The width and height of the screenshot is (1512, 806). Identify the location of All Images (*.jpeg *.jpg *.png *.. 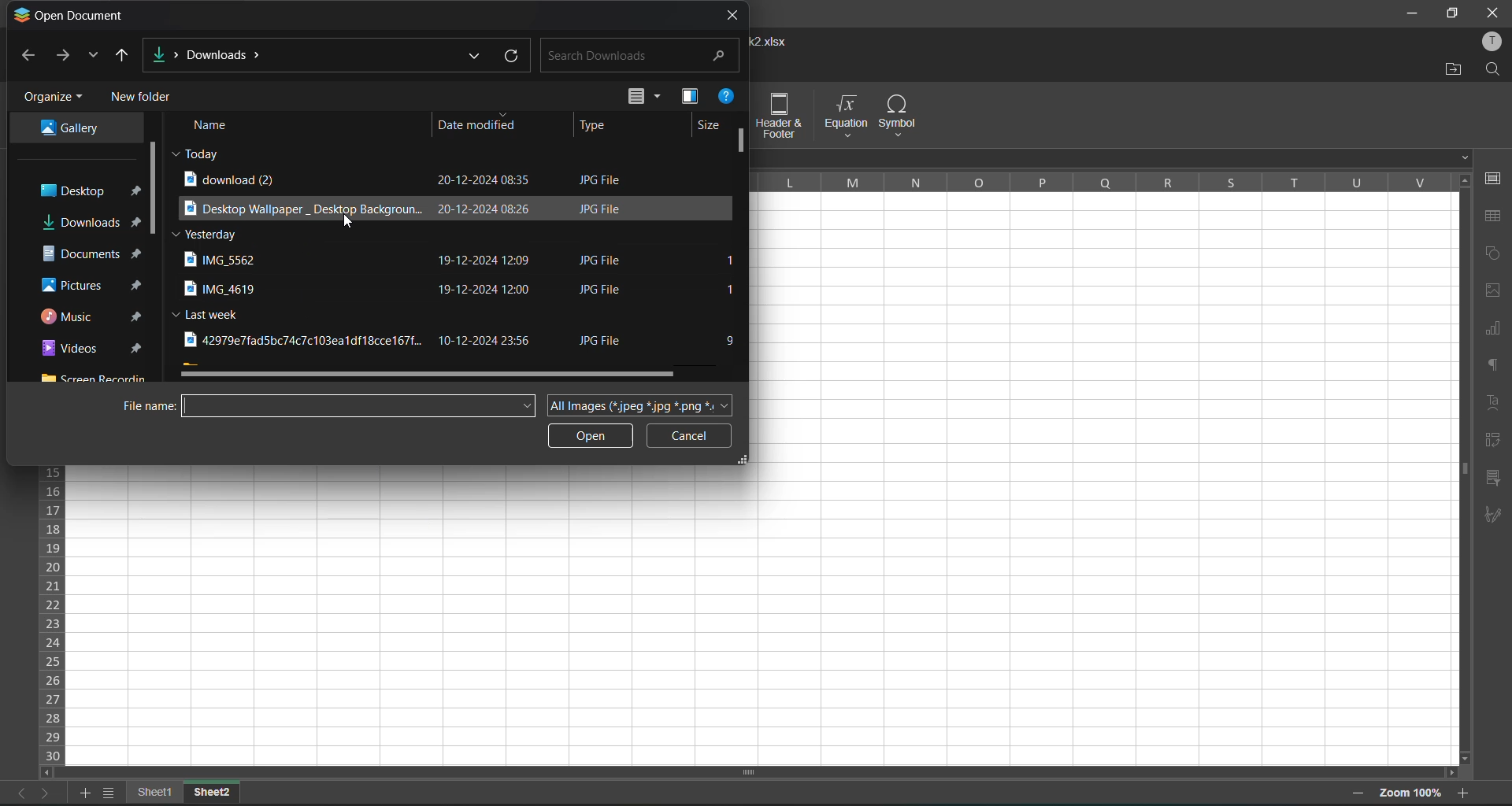
(639, 406).